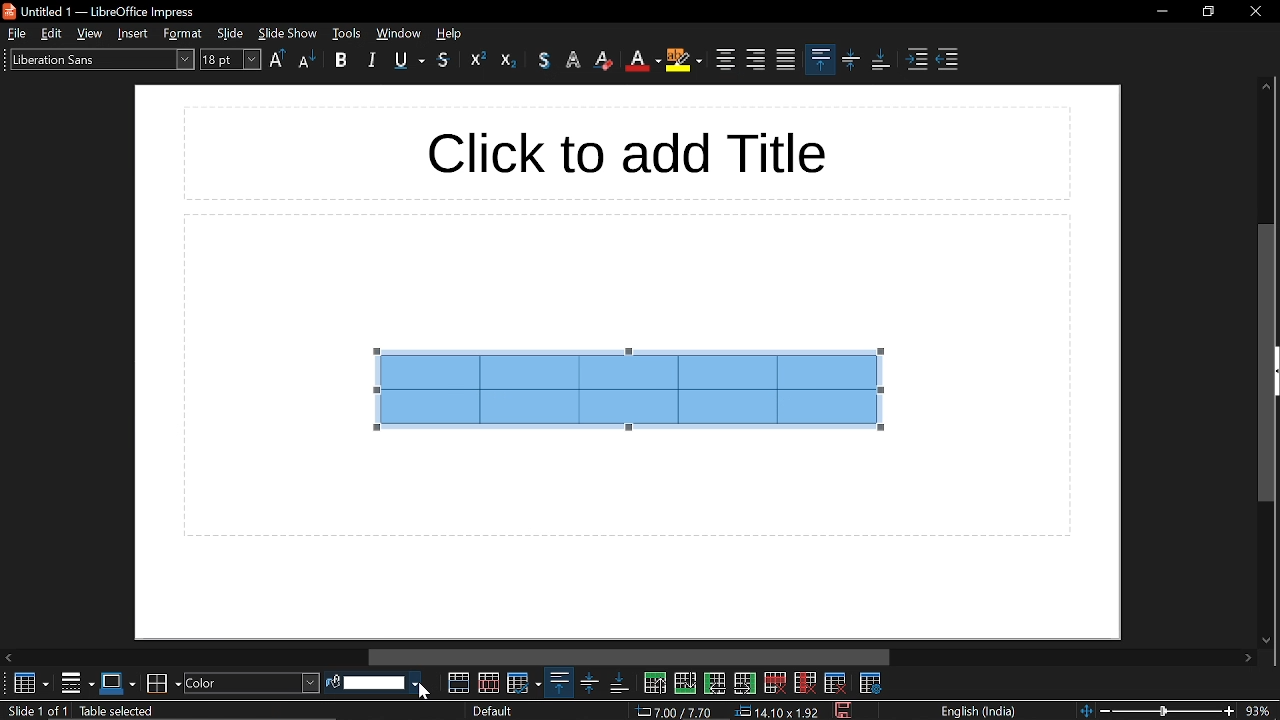 The height and width of the screenshot is (720, 1280). I want to click on center, so click(724, 57).